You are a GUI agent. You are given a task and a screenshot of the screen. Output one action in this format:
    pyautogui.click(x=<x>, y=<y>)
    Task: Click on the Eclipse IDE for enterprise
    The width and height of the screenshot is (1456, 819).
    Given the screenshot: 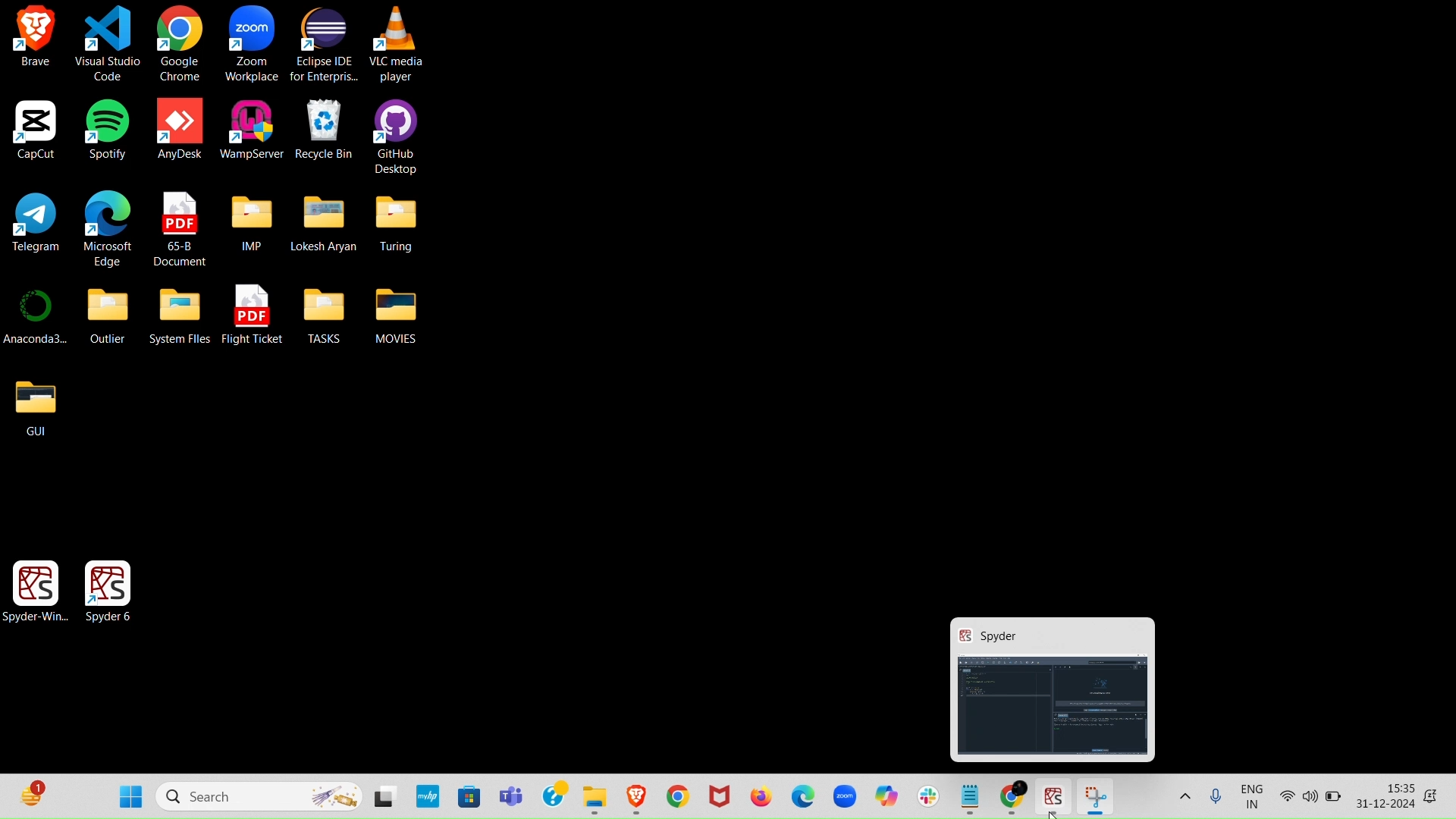 What is the action you would take?
    pyautogui.click(x=326, y=45)
    